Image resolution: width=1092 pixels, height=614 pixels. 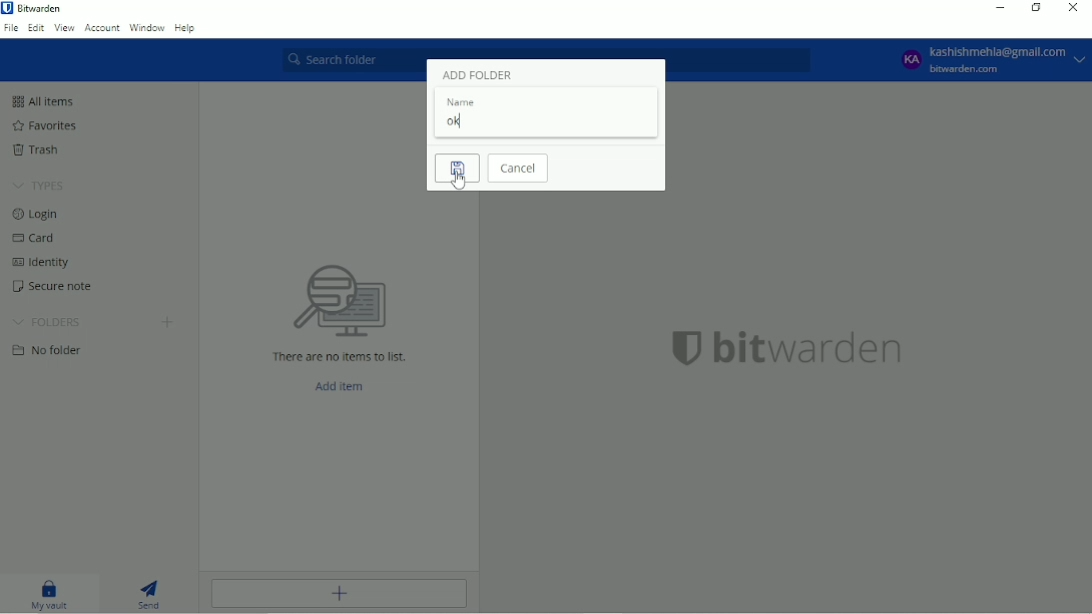 What do you see at coordinates (41, 186) in the screenshot?
I see `Types` at bounding box center [41, 186].